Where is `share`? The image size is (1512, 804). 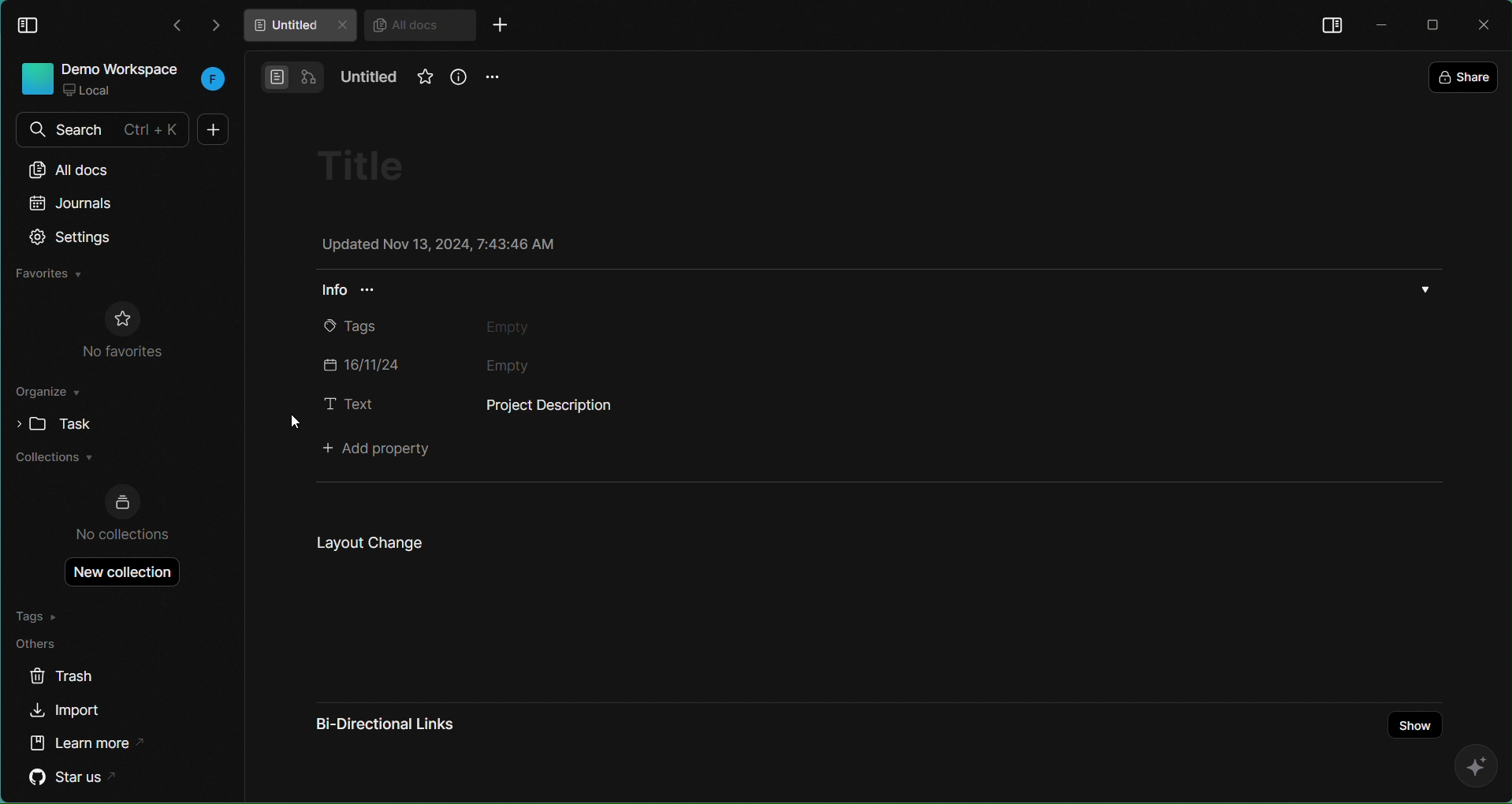 share is located at coordinates (1465, 73).